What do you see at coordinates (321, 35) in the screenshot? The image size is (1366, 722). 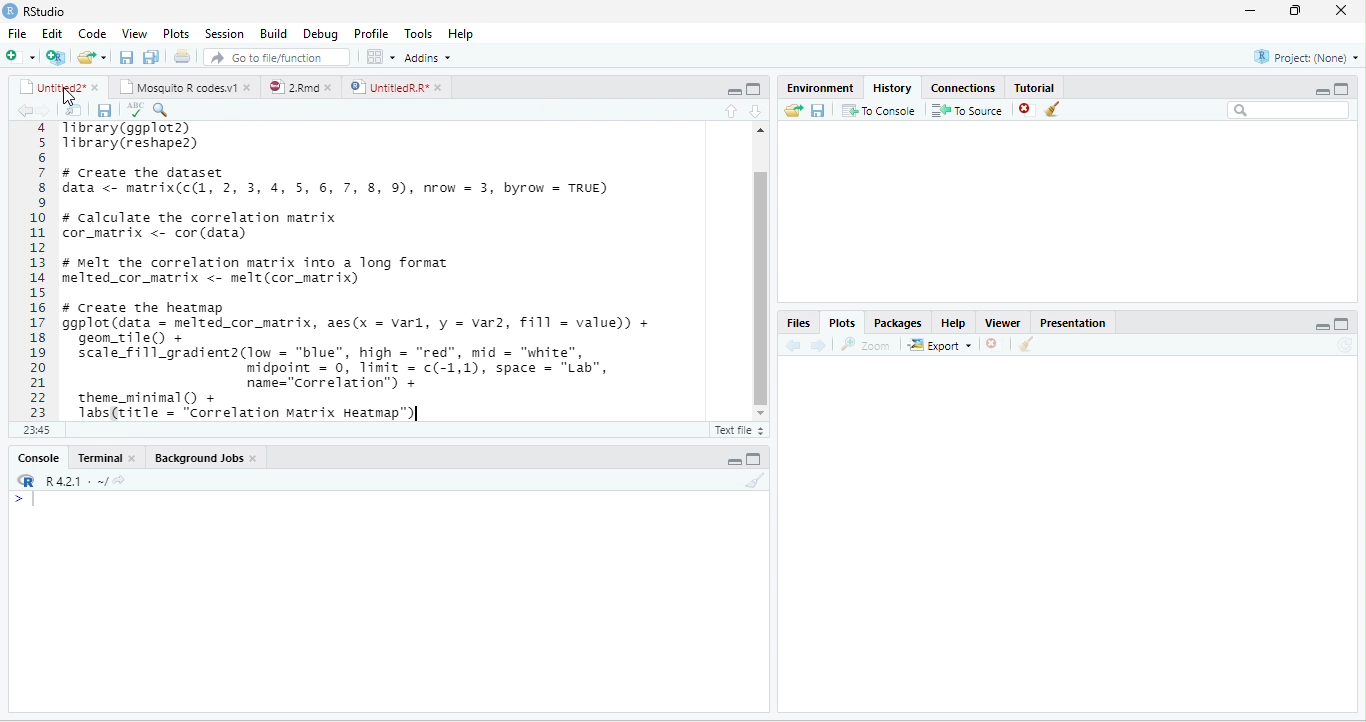 I see `debug` at bounding box center [321, 35].